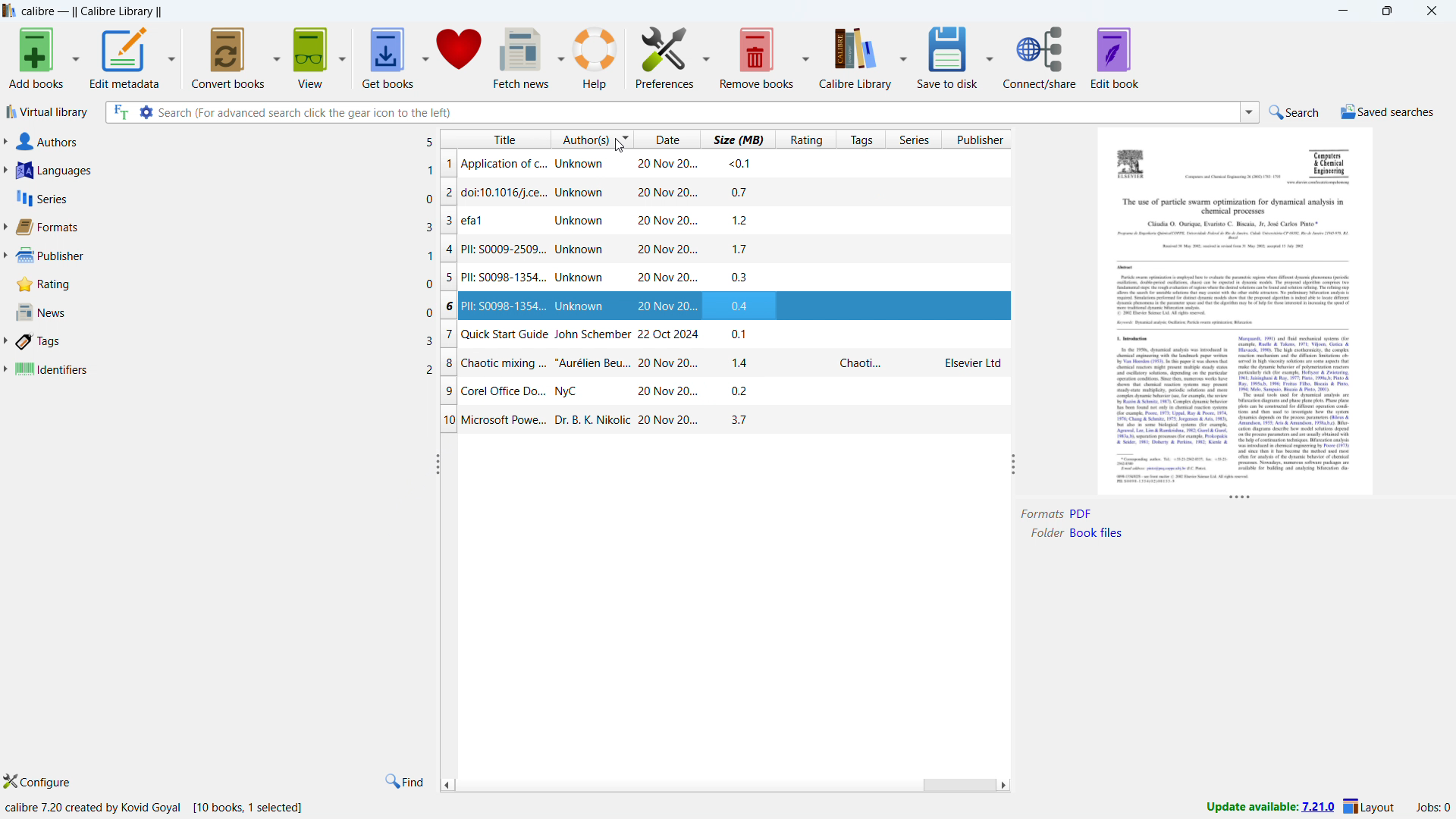 The height and width of the screenshot is (819, 1456). I want to click on 1, so click(448, 165).